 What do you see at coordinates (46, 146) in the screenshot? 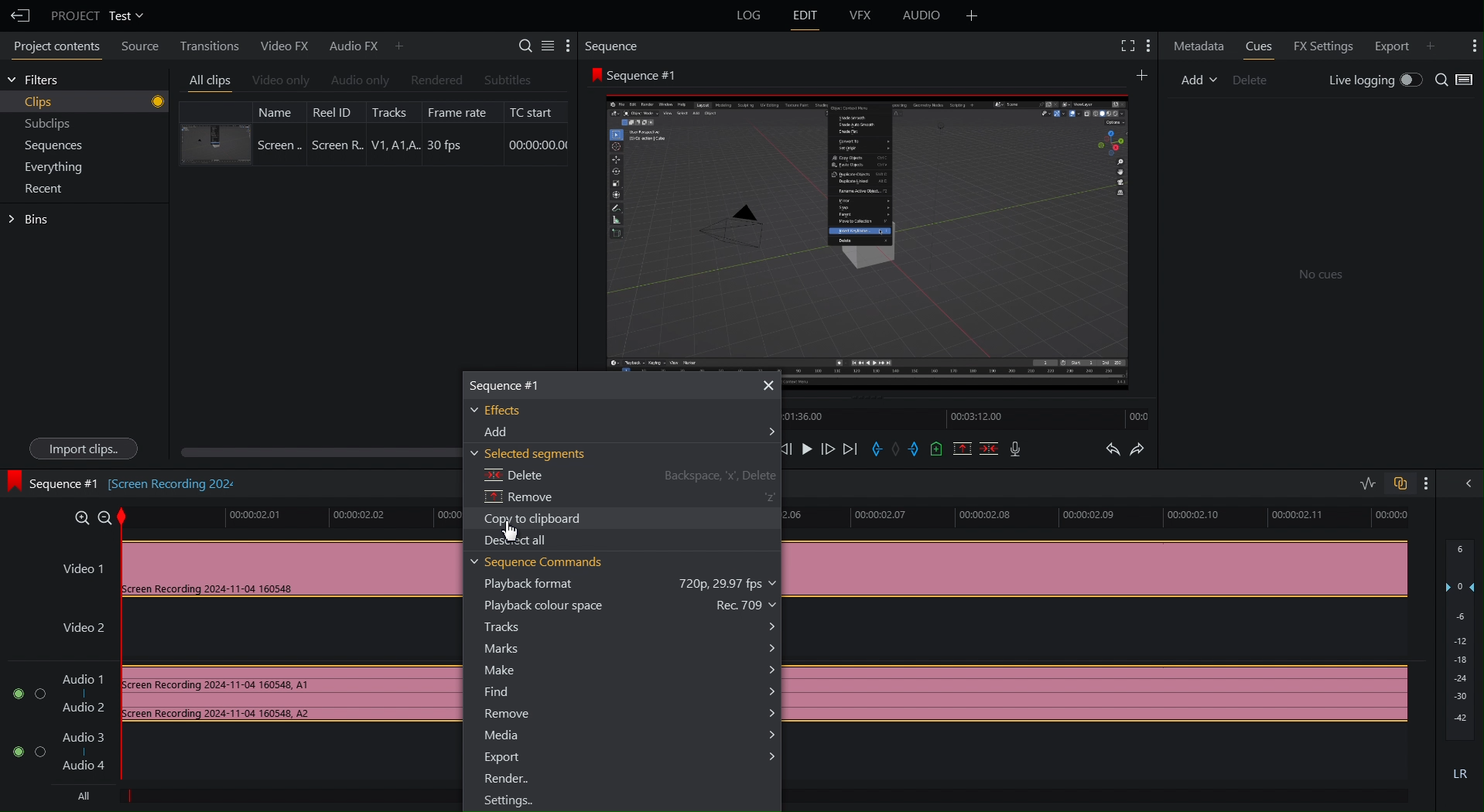
I see `Sequences` at bounding box center [46, 146].